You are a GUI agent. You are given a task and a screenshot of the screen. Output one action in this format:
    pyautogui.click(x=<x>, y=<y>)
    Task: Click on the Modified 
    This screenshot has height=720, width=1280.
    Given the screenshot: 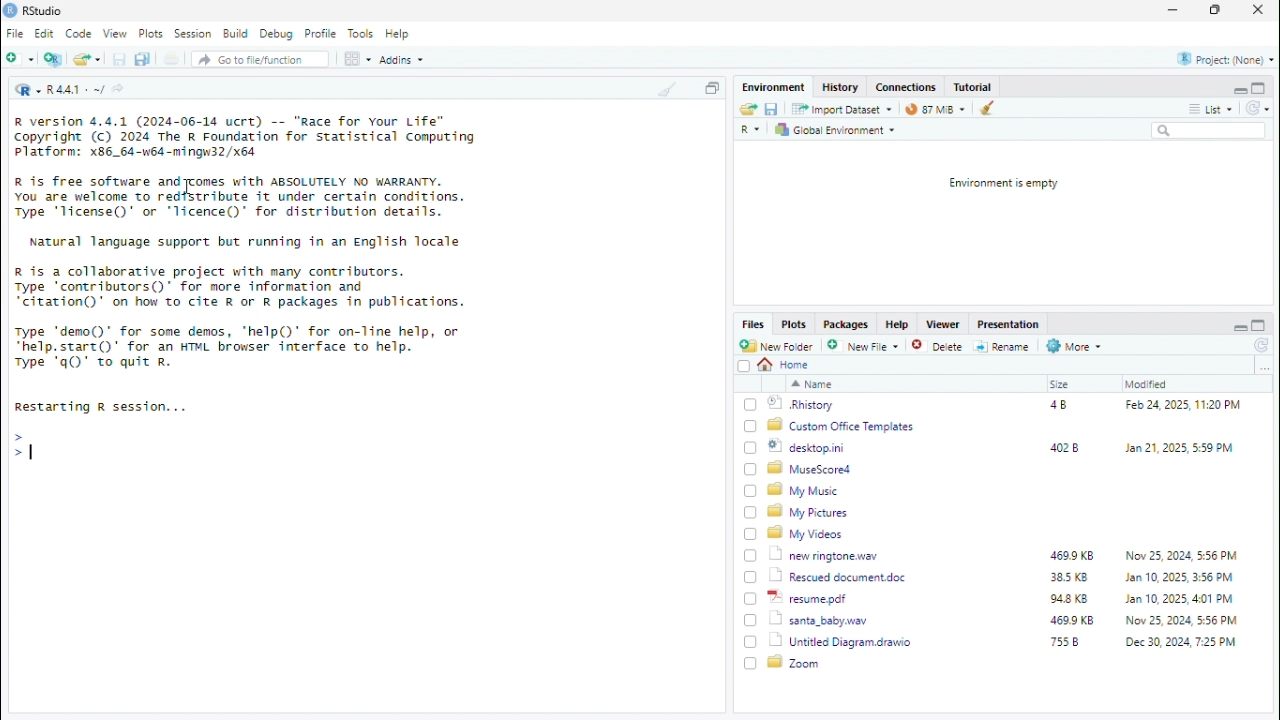 What is the action you would take?
    pyautogui.click(x=1147, y=384)
    